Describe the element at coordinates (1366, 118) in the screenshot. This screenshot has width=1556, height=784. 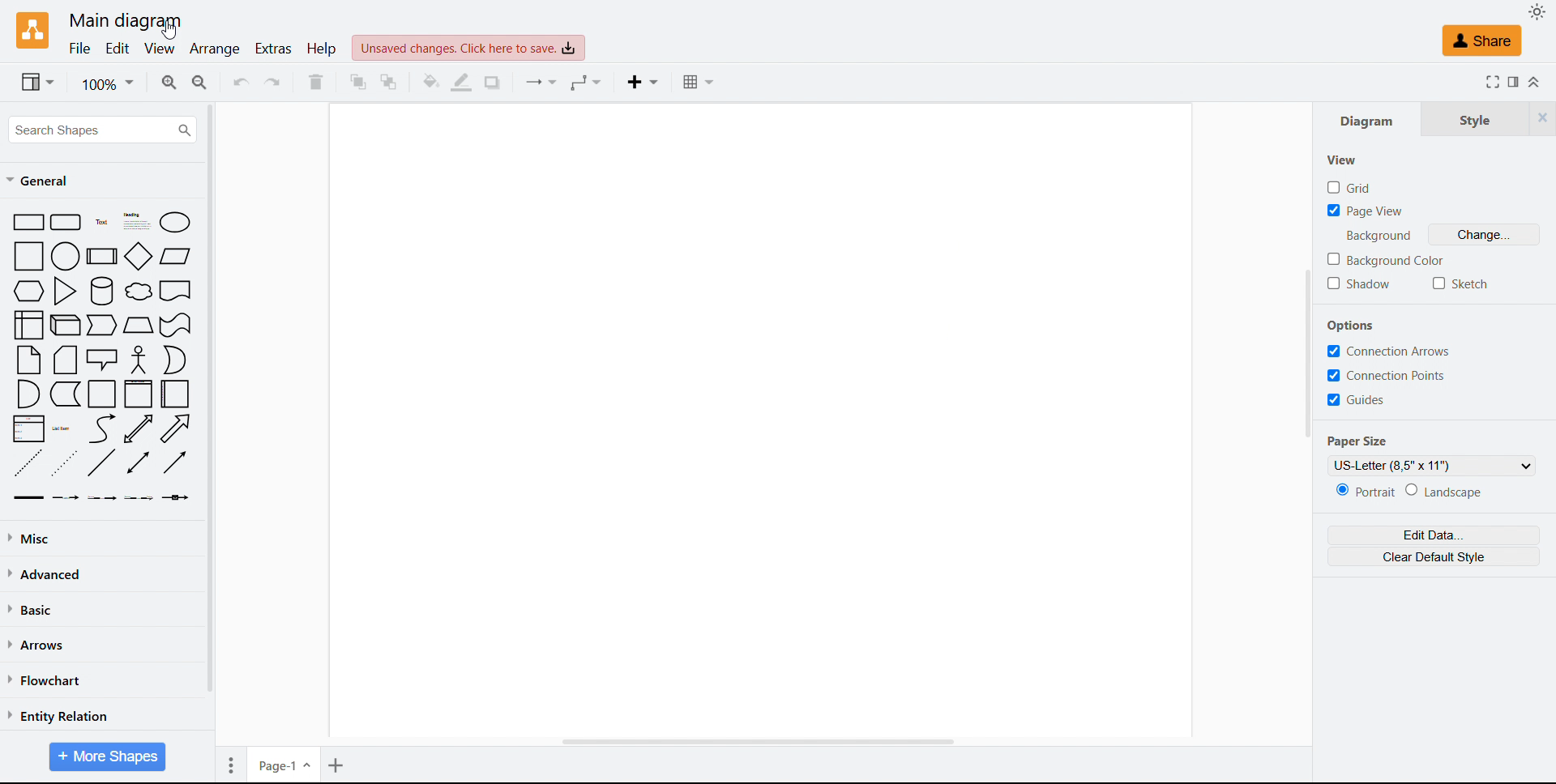
I see `Diagram ` at that location.